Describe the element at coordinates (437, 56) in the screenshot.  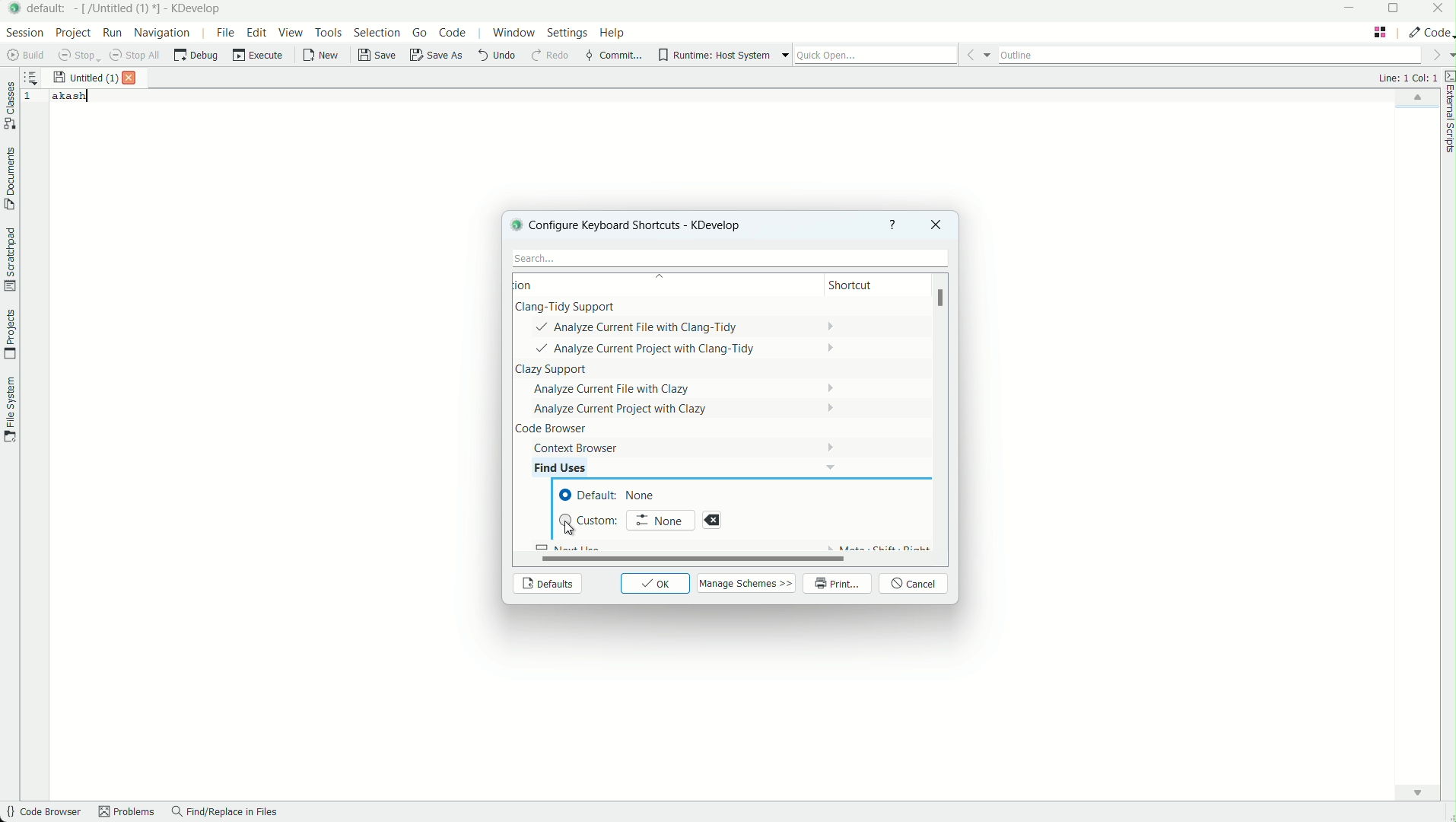
I see `save as` at that location.